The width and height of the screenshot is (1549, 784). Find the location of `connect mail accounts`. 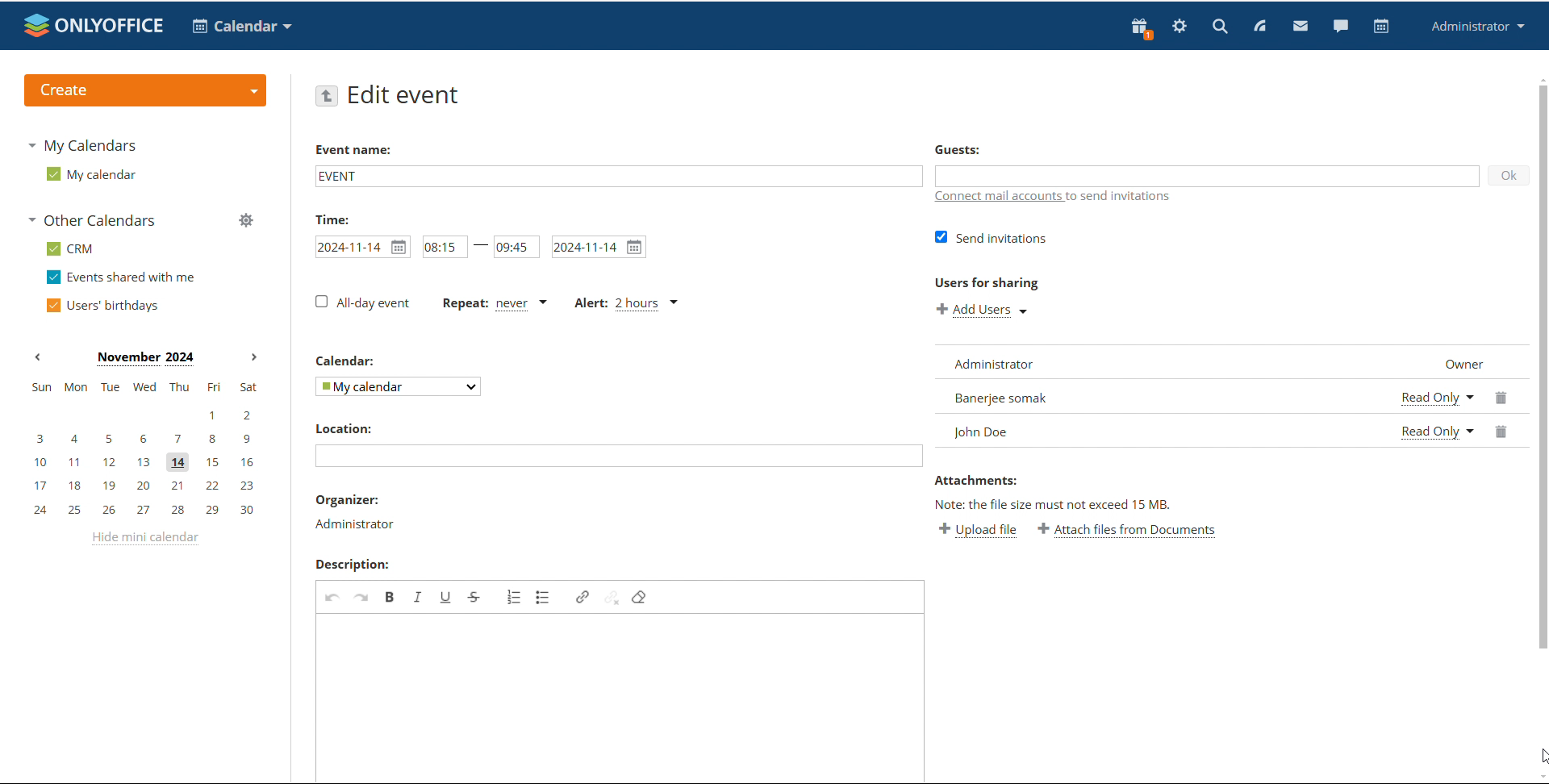

connect mail accounts is located at coordinates (1055, 198).